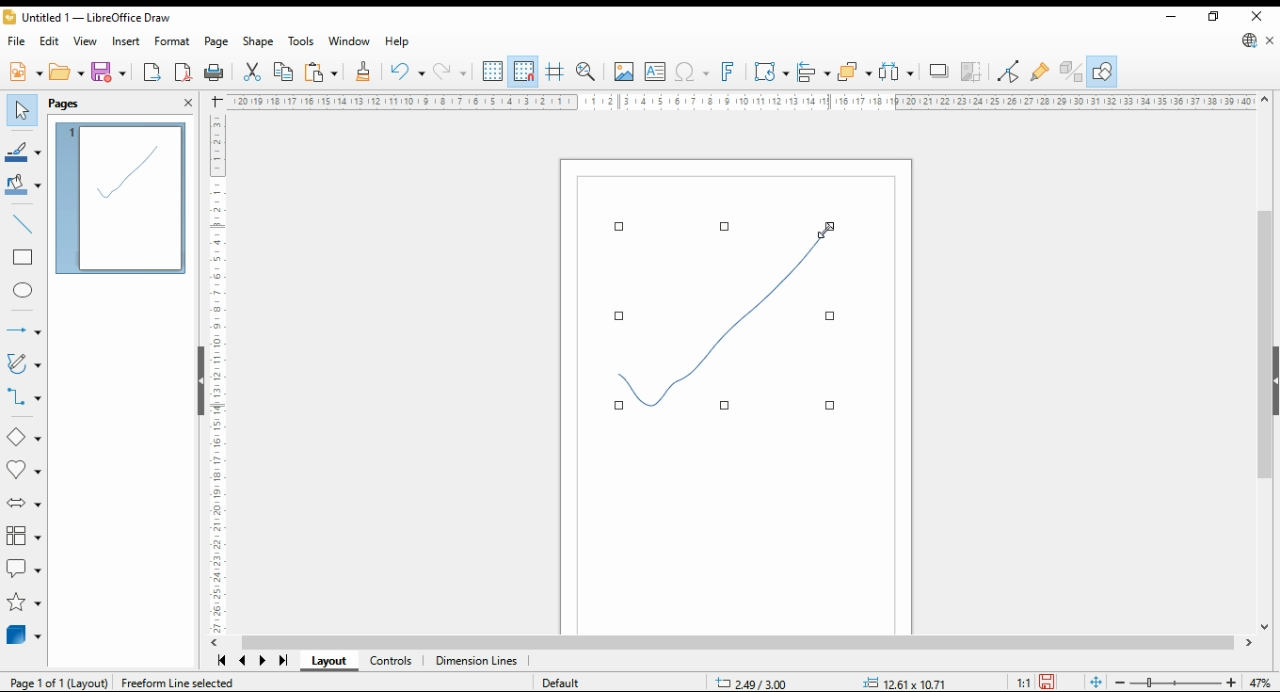 The height and width of the screenshot is (692, 1280). I want to click on insert fontwork text, so click(727, 72).